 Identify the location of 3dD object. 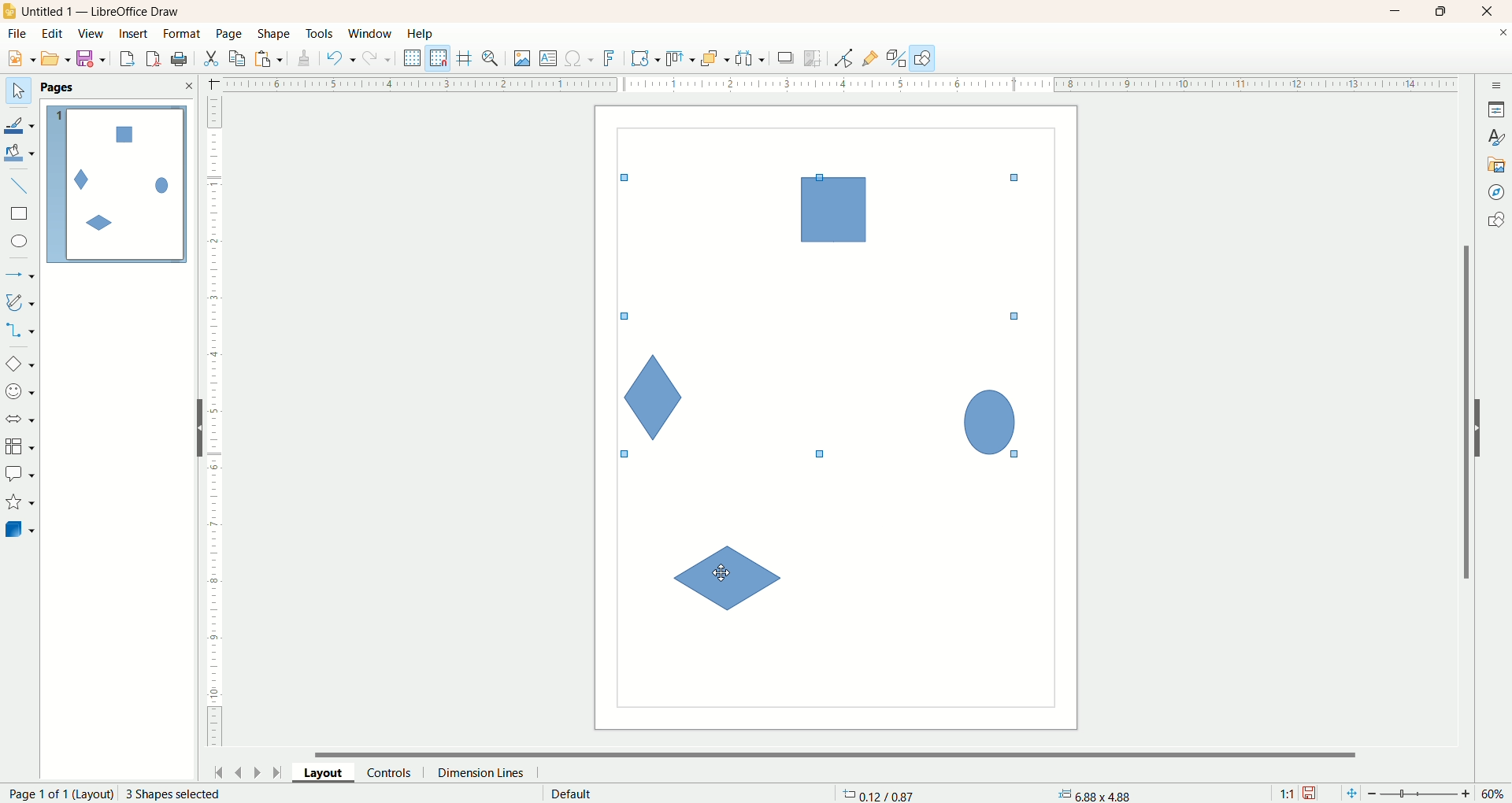
(19, 529).